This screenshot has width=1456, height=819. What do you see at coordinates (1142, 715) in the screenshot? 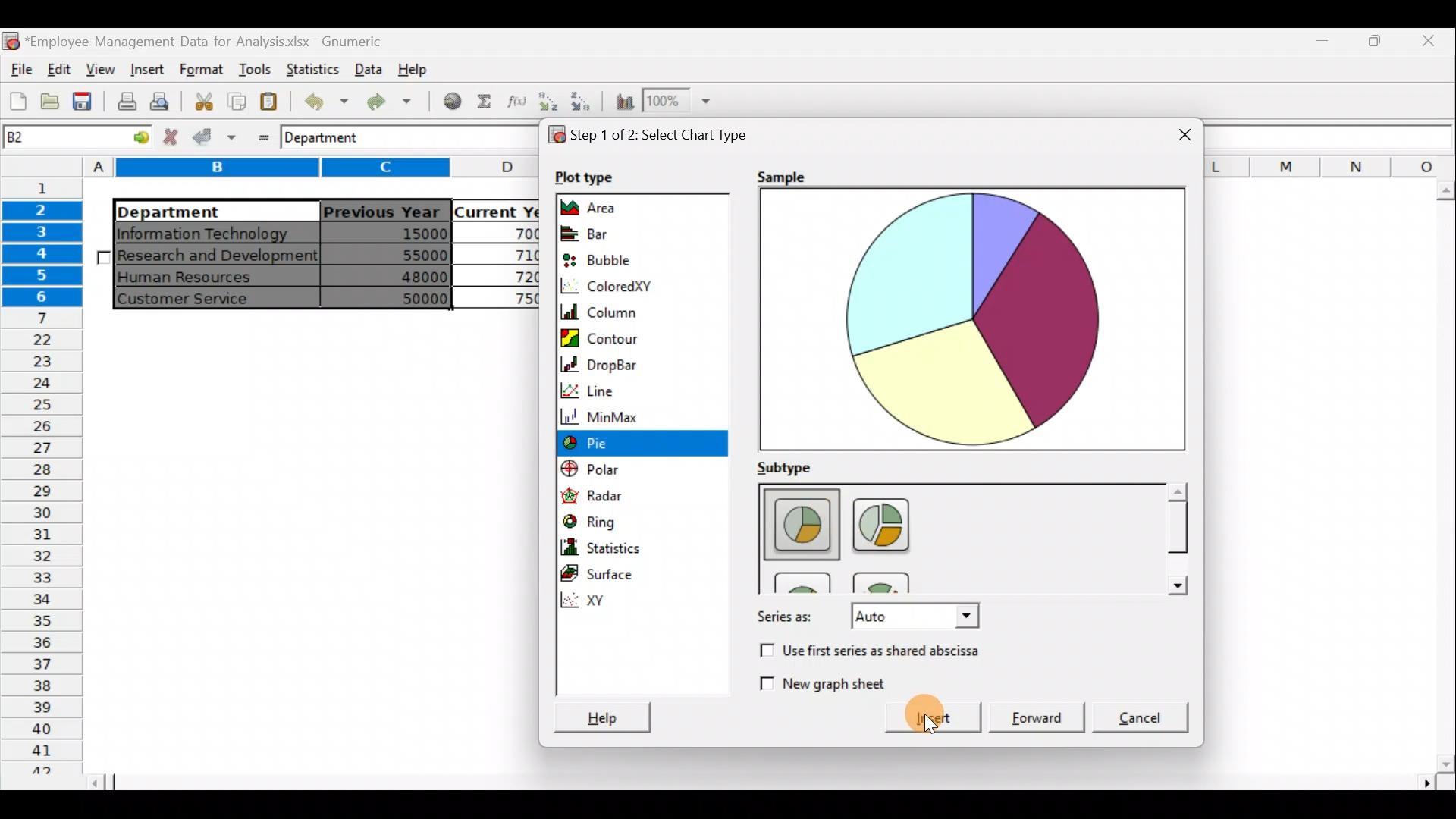
I see `Cancel` at bounding box center [1142, 715].